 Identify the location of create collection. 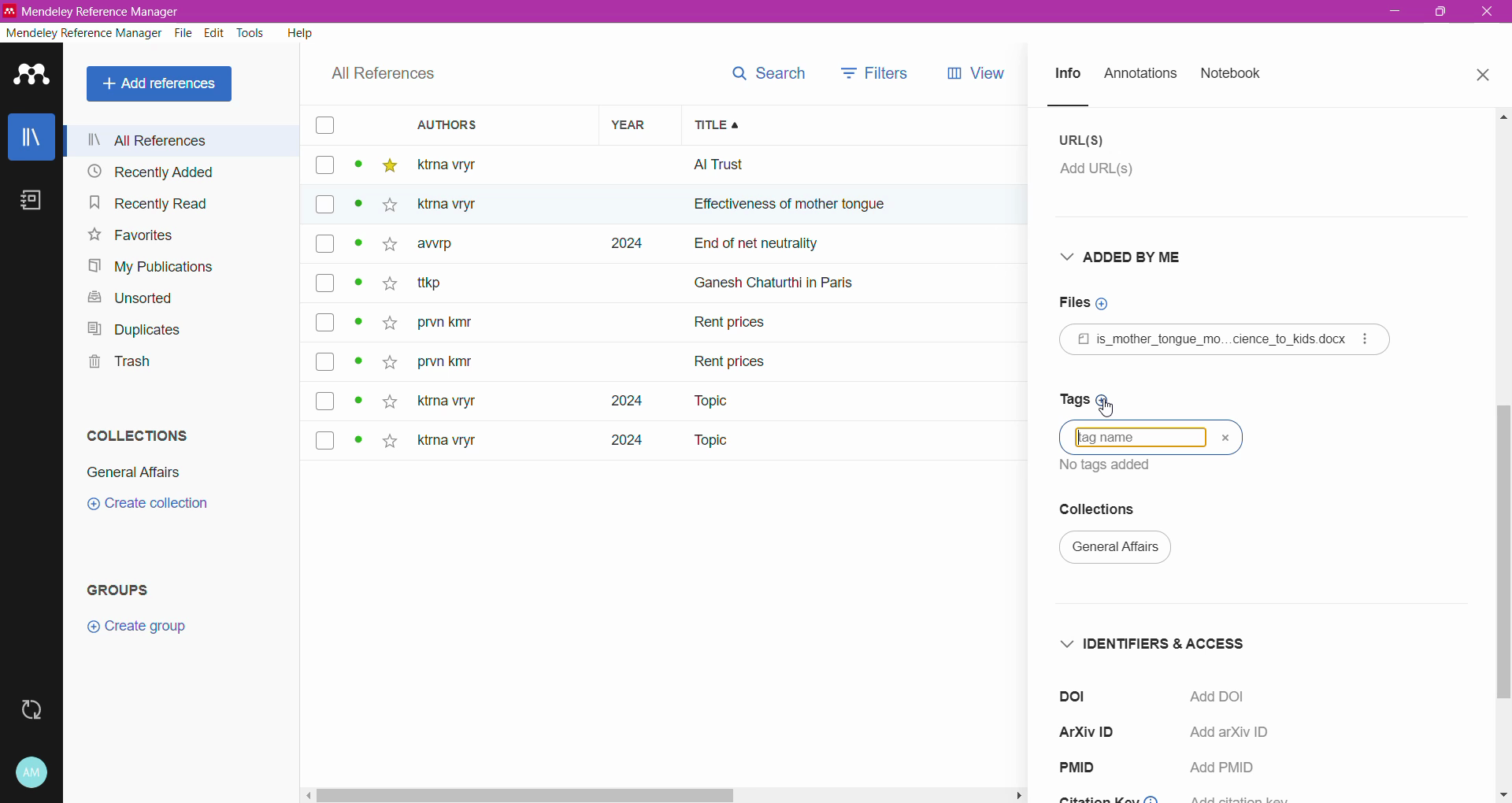
(159, 509).